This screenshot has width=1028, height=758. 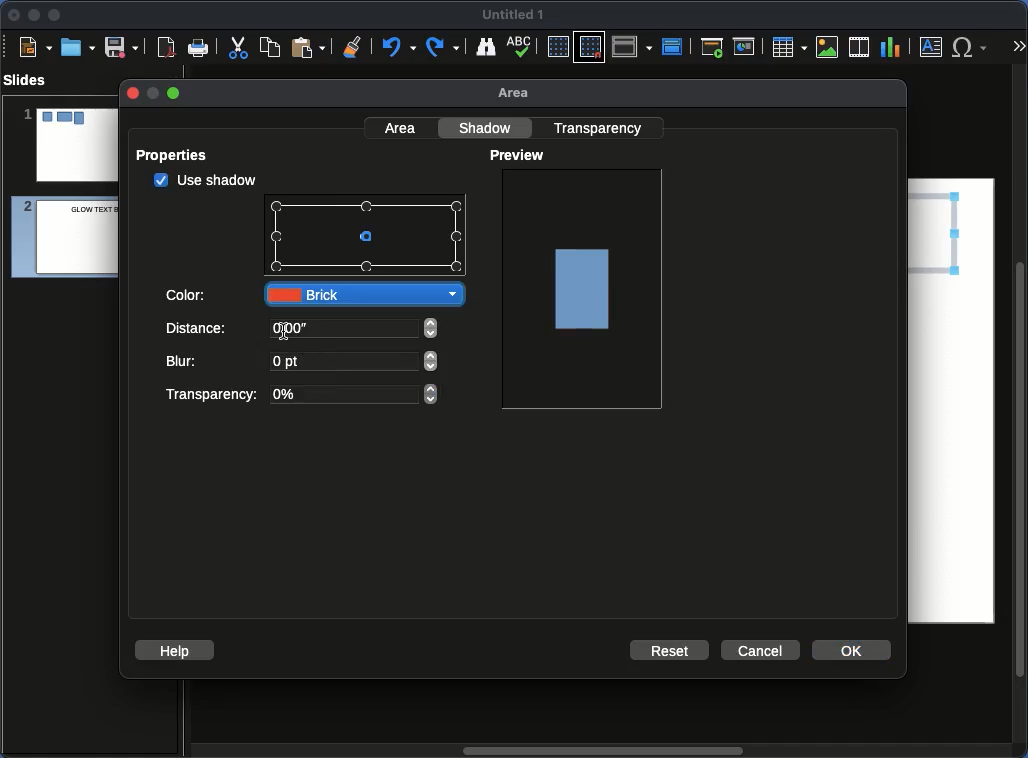 I want to click on More, so click(x=1018, y=48).